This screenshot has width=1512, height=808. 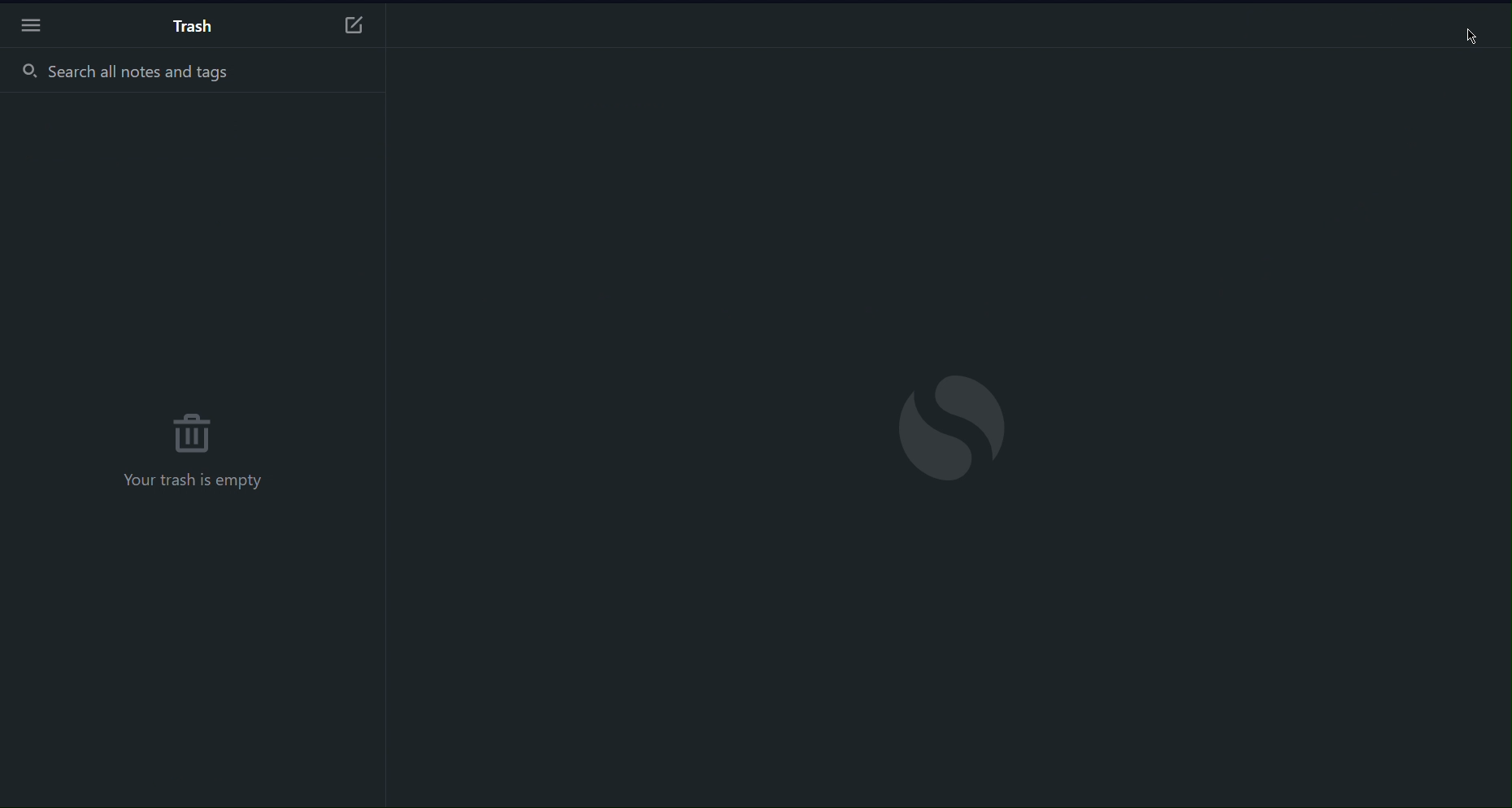 What do you see at coordinates (195, 27) in the screenshot?
I see `Trash` at bounding box center [195, 27].